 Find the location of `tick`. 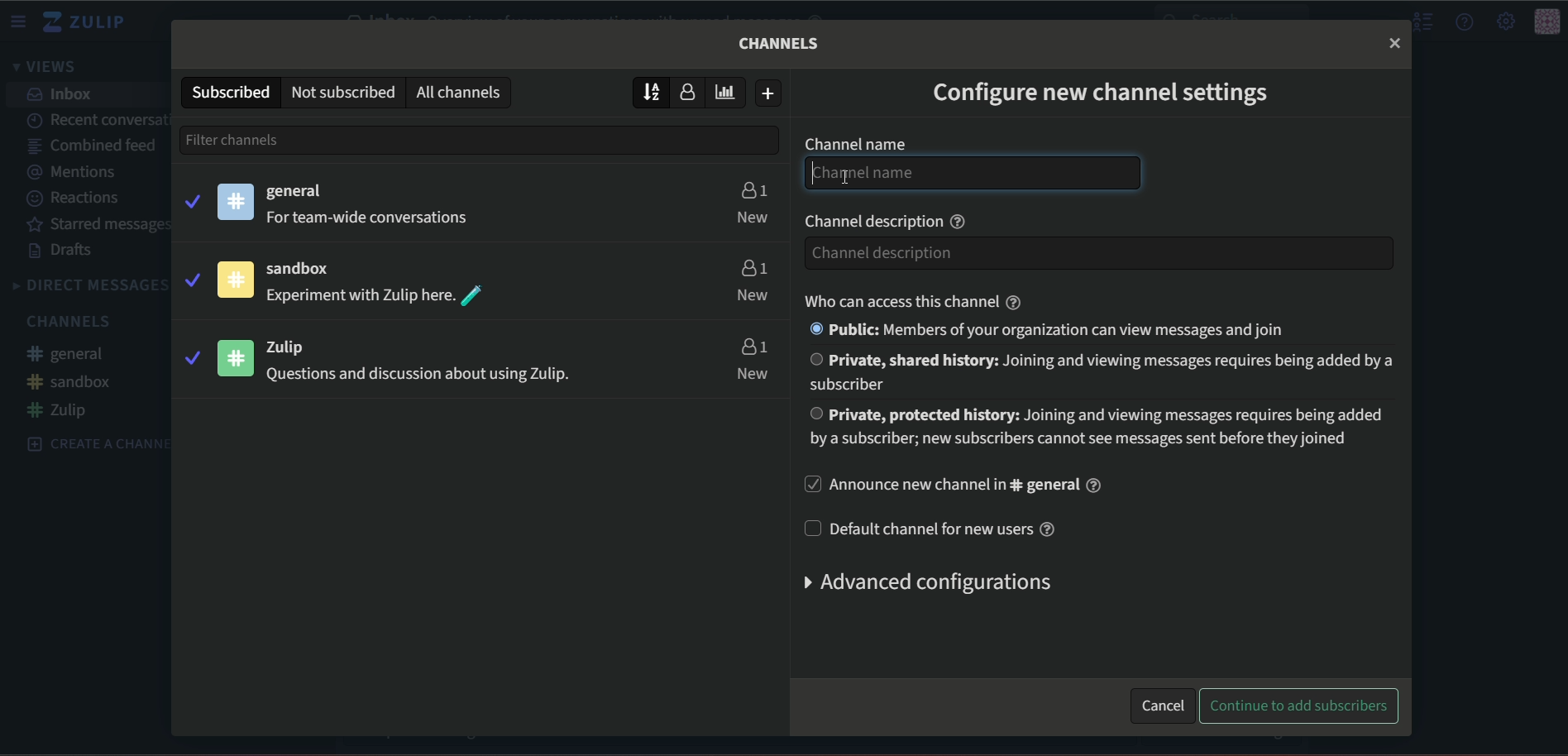

tick is located at coordinates (190, 357).